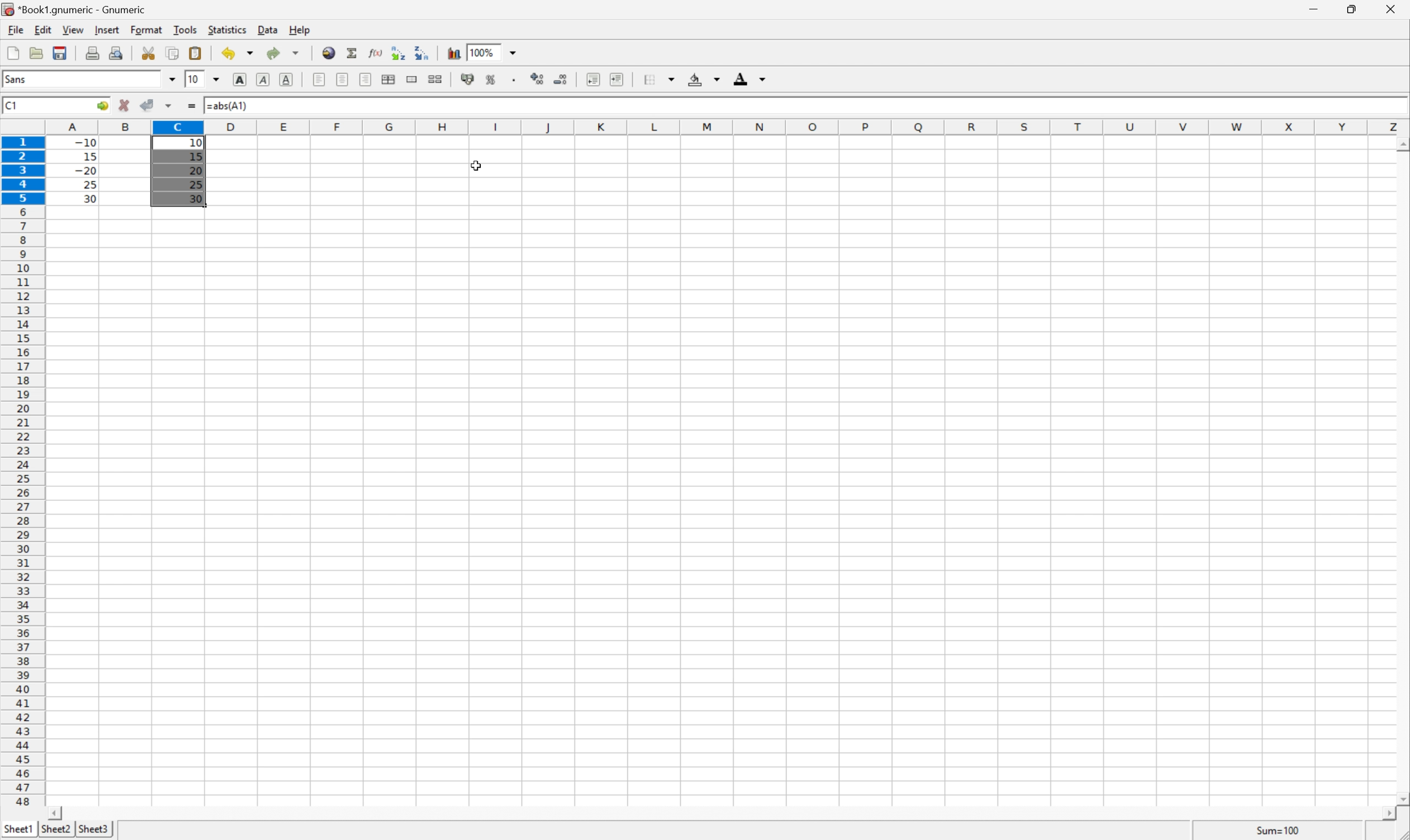 The height and width of the screenshot is (840, 1410). Describe the element at coordinates (674, 77) in the screenshot. I see `Drop Down` at that location.